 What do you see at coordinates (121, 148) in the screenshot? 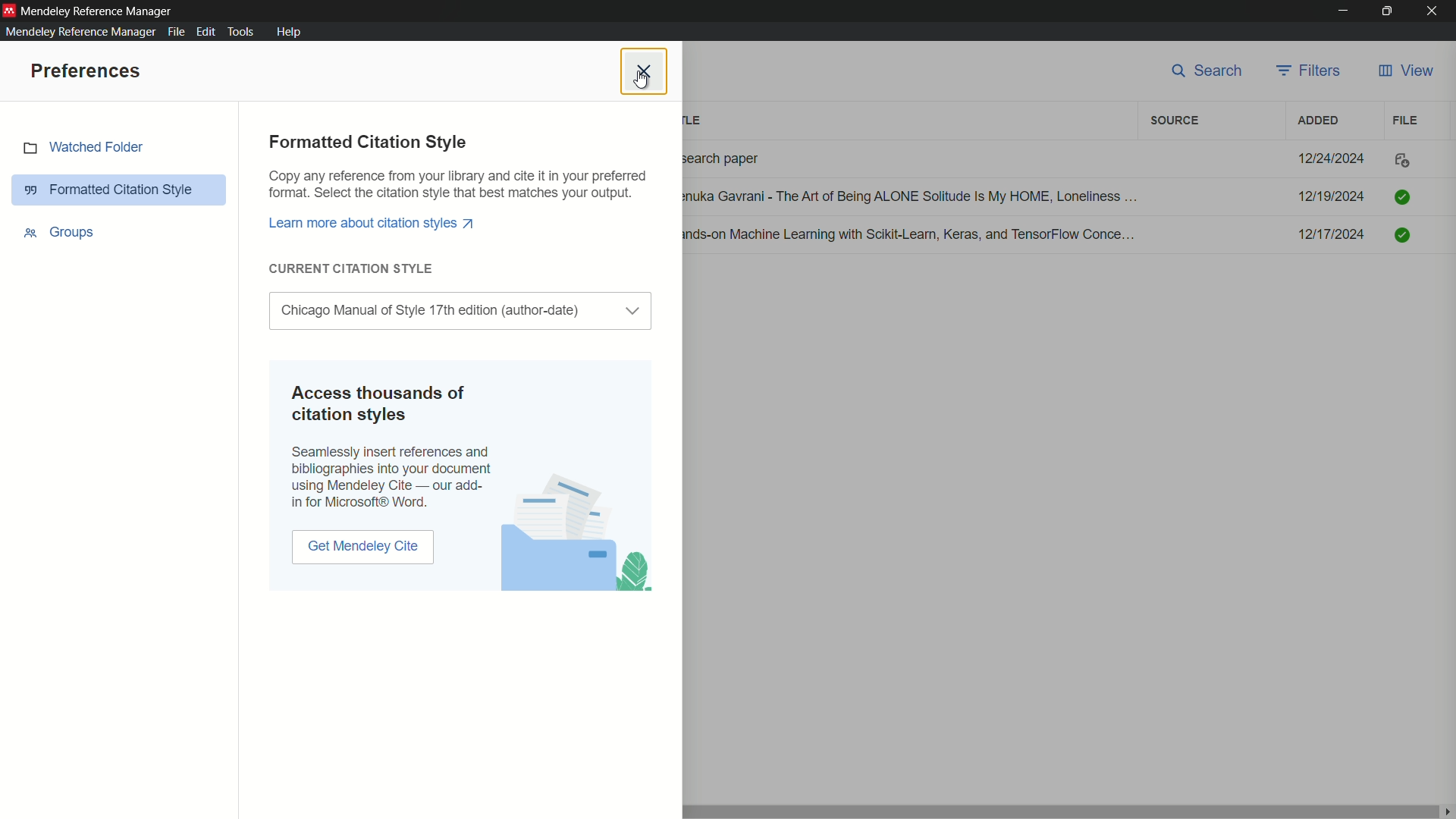
I see `watch folder` at bounding box center [121, 148].